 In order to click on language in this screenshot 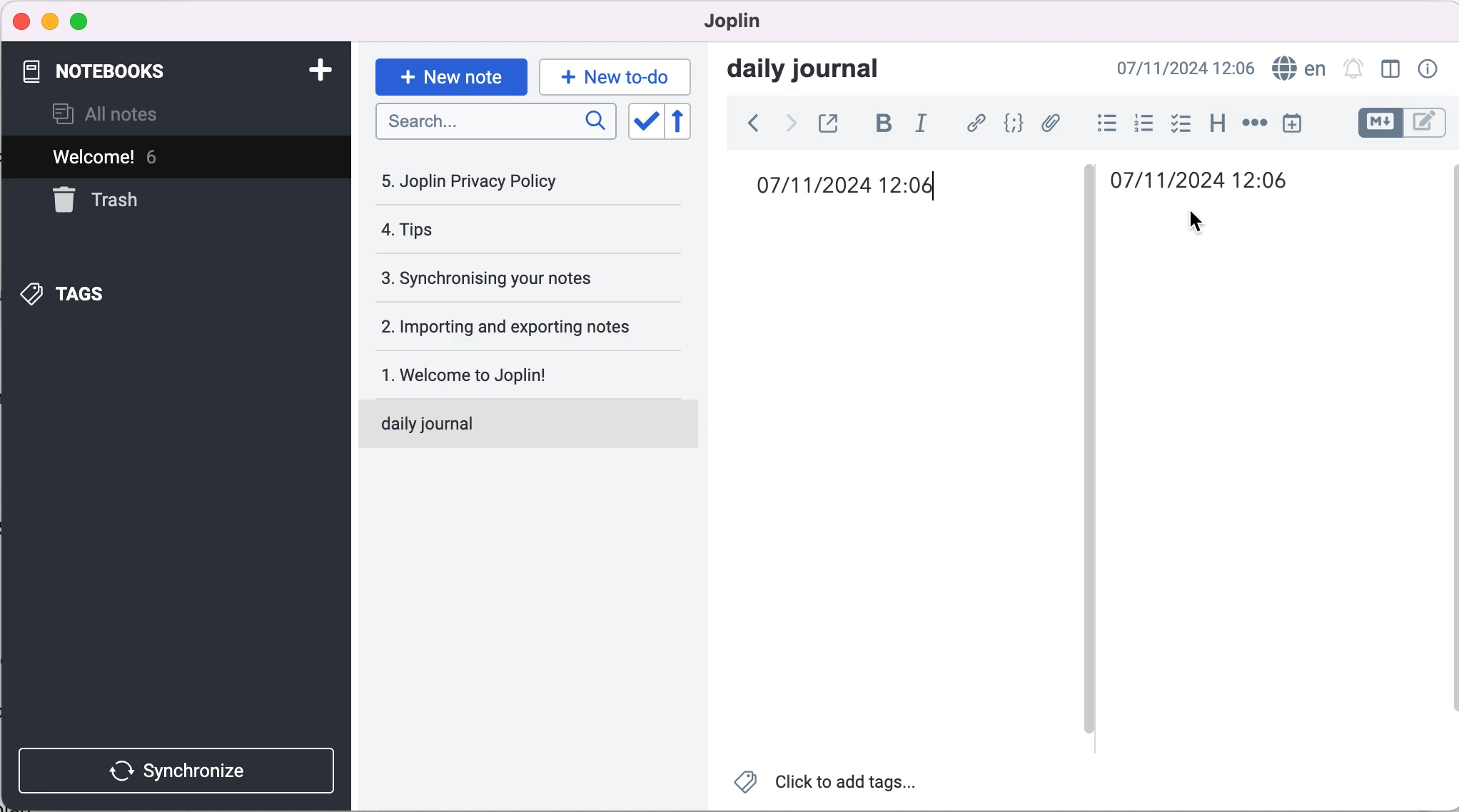, I will do `click(1298, 70)`.